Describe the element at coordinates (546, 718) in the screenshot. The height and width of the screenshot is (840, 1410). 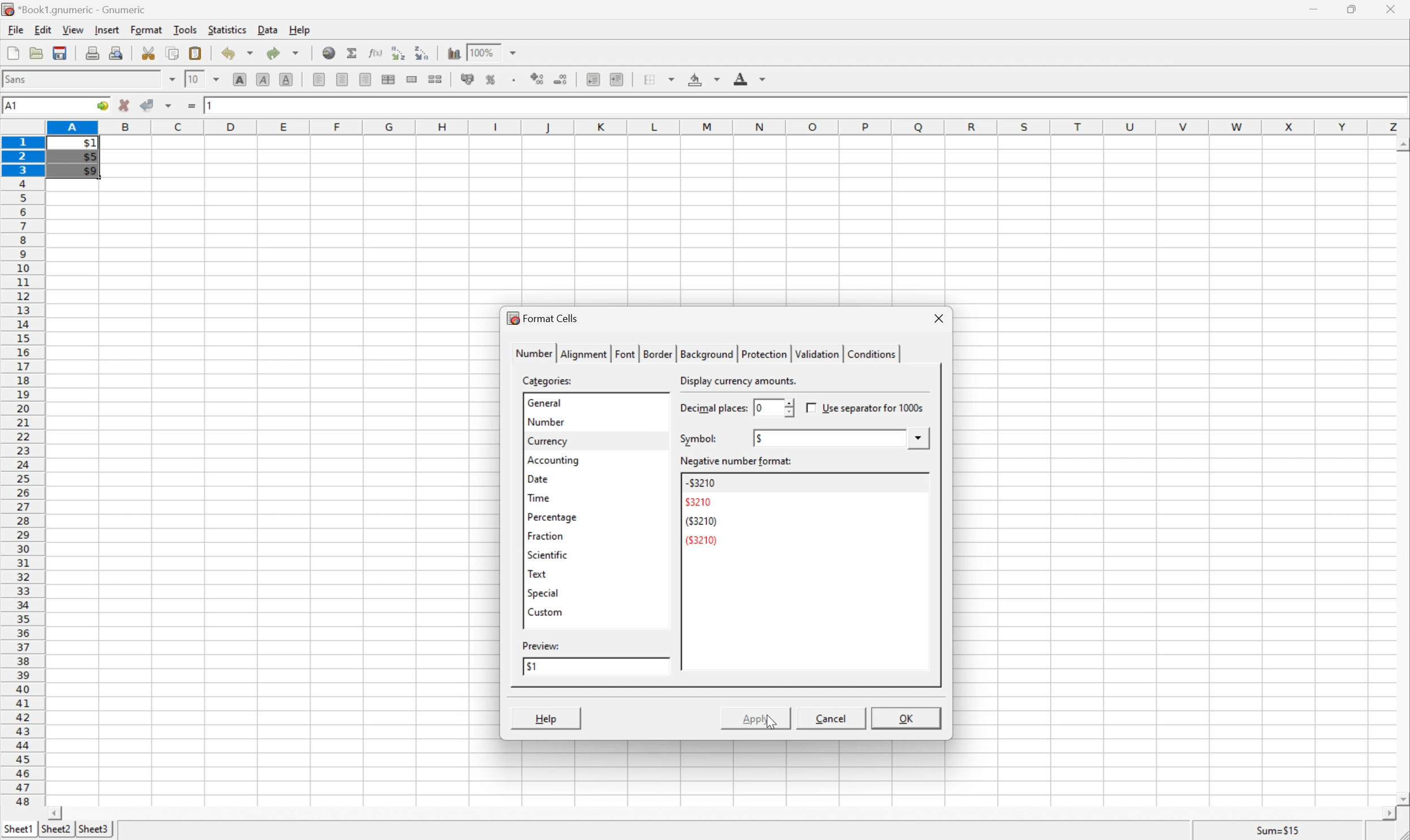
I see `help` at that location.